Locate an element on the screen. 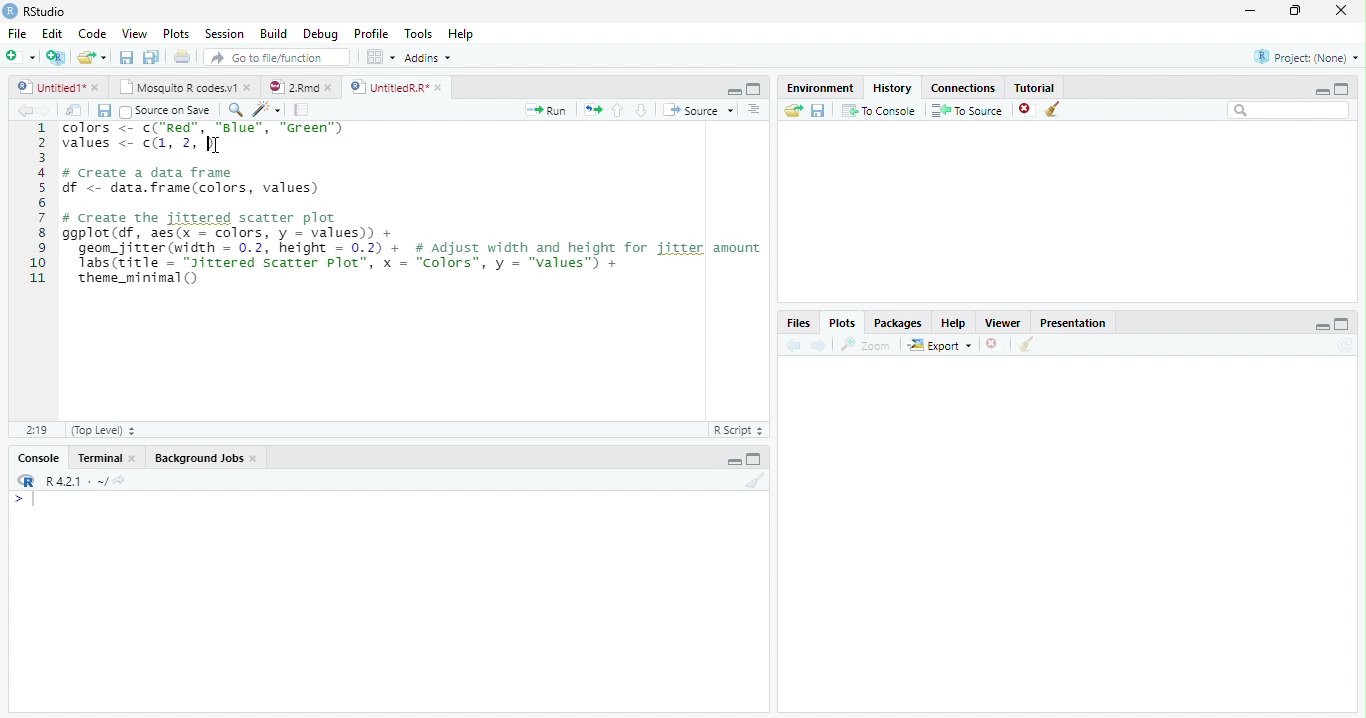  Plots is located at coordinates (177, 33).